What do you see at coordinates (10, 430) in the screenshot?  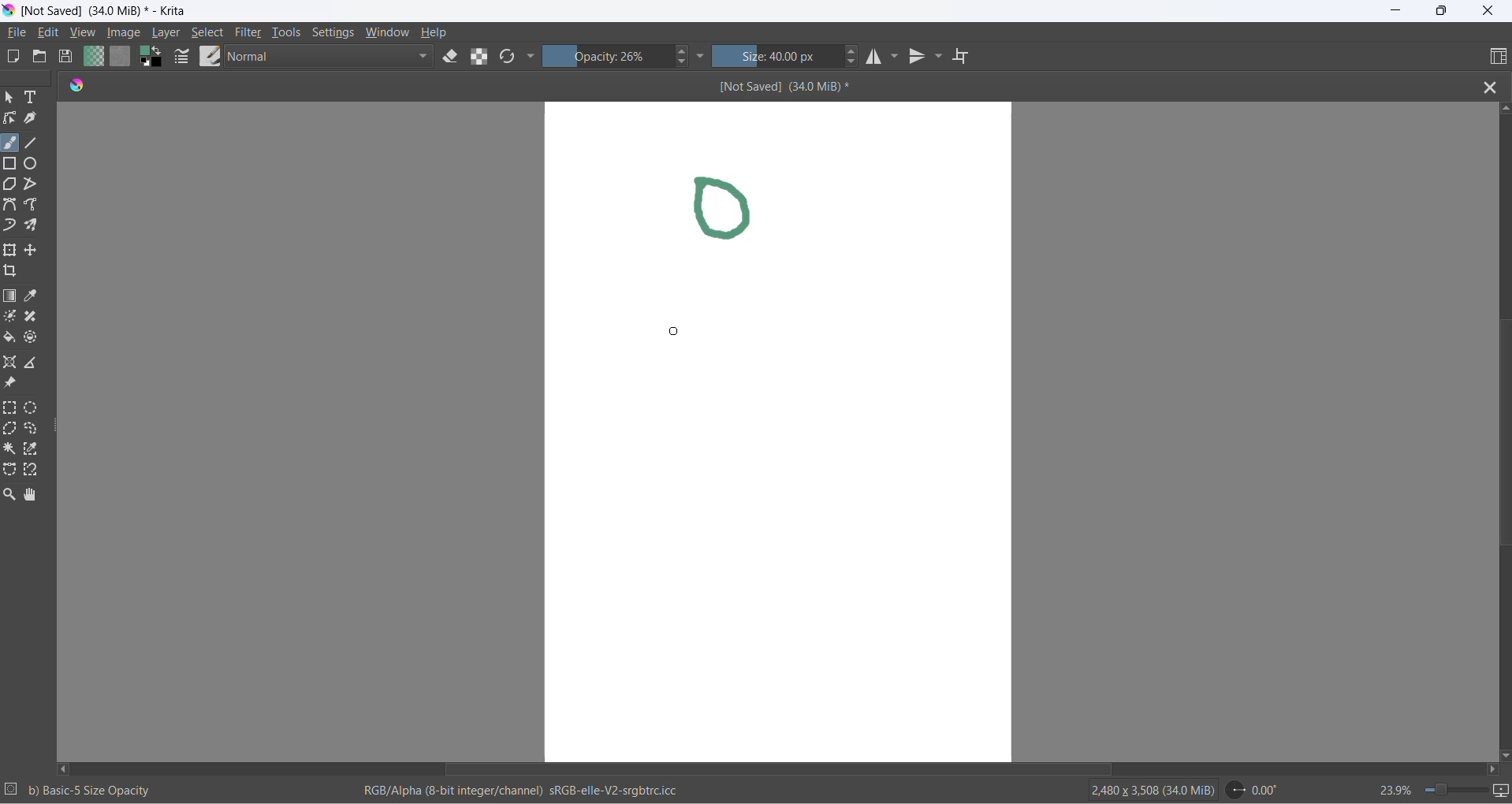 I see `polygonal selection tool` at bounding box center [10, 430].